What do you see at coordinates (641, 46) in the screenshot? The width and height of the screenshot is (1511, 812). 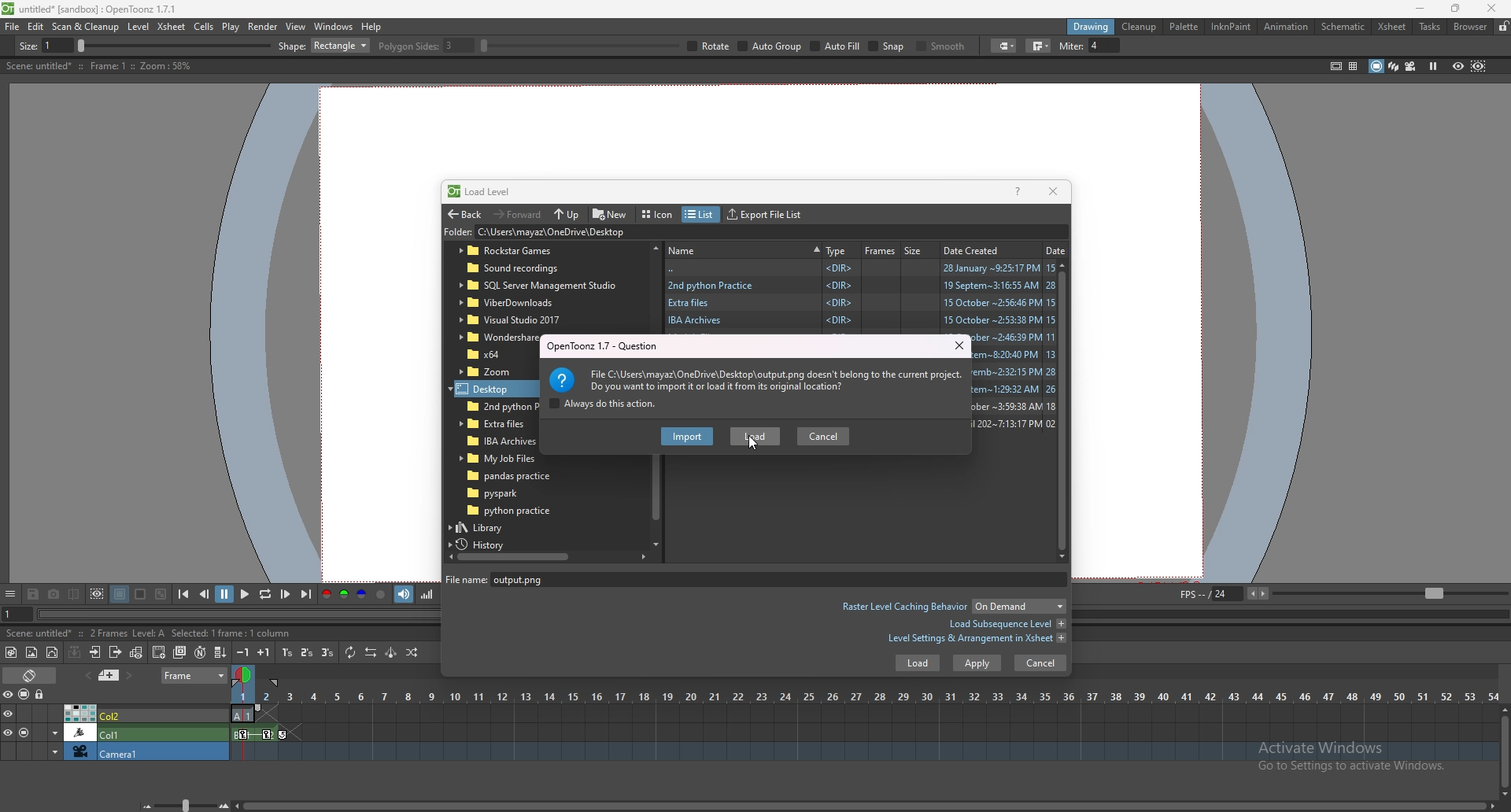 I see `shape` at bounding box center [641, 46].